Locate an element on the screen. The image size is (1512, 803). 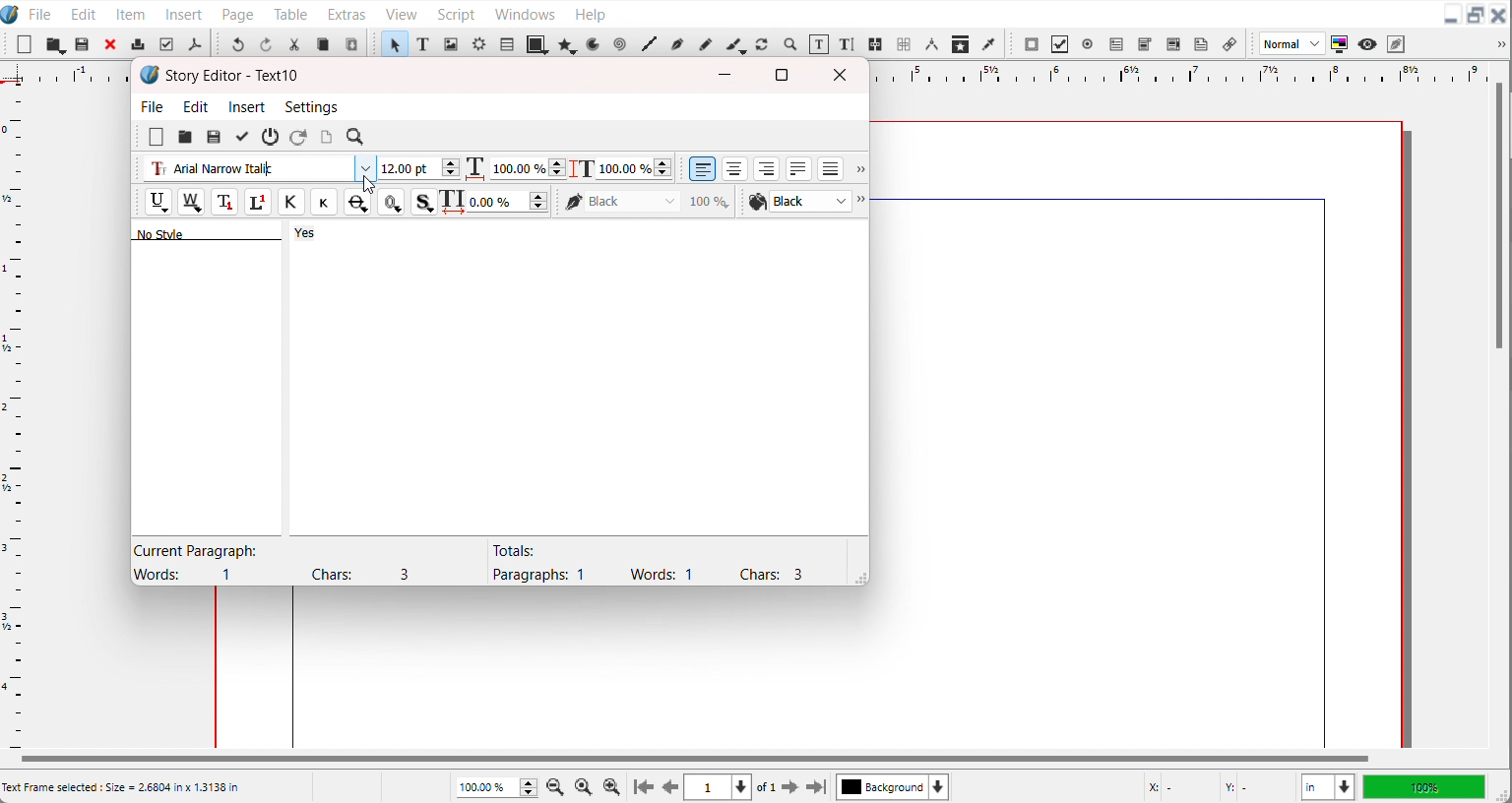
Save is located at coordinates (55, 44).